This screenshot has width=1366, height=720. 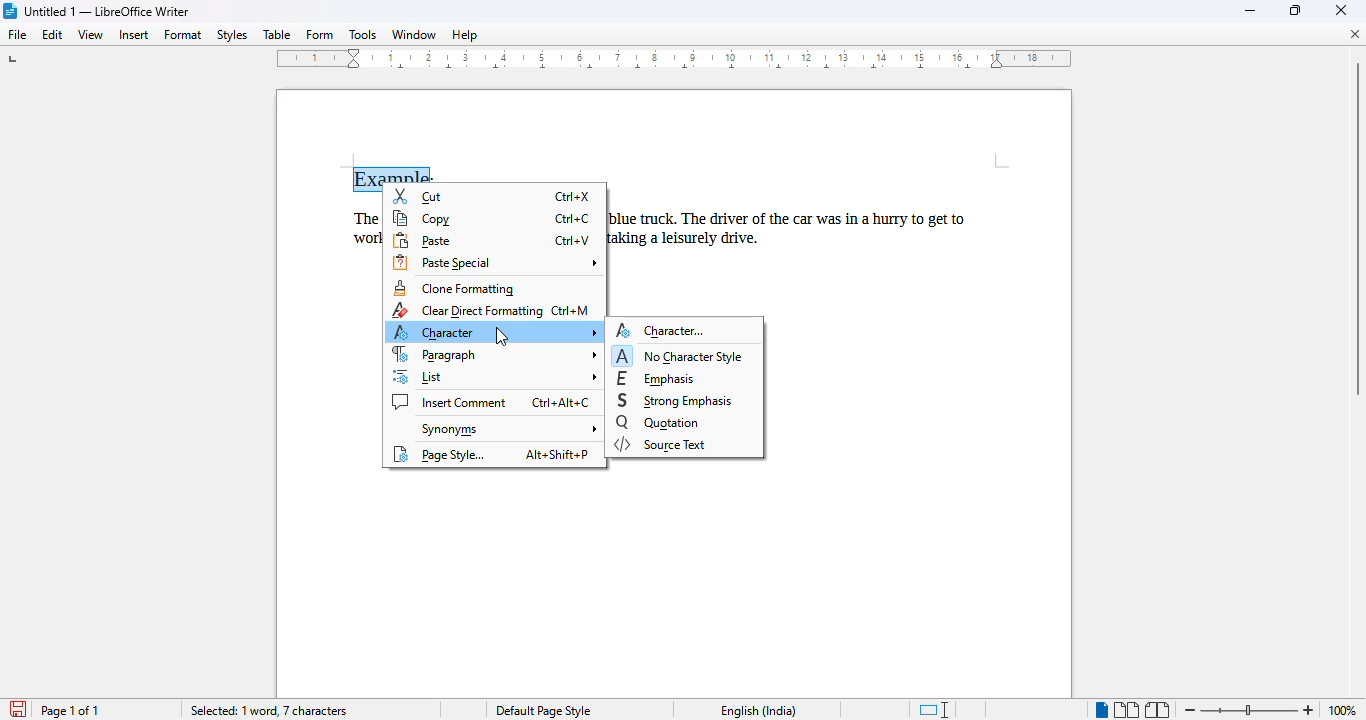 What do you see at coordinates (657, 422) in the screenshot?
I see `quotation` at bounding box center [657, 422].